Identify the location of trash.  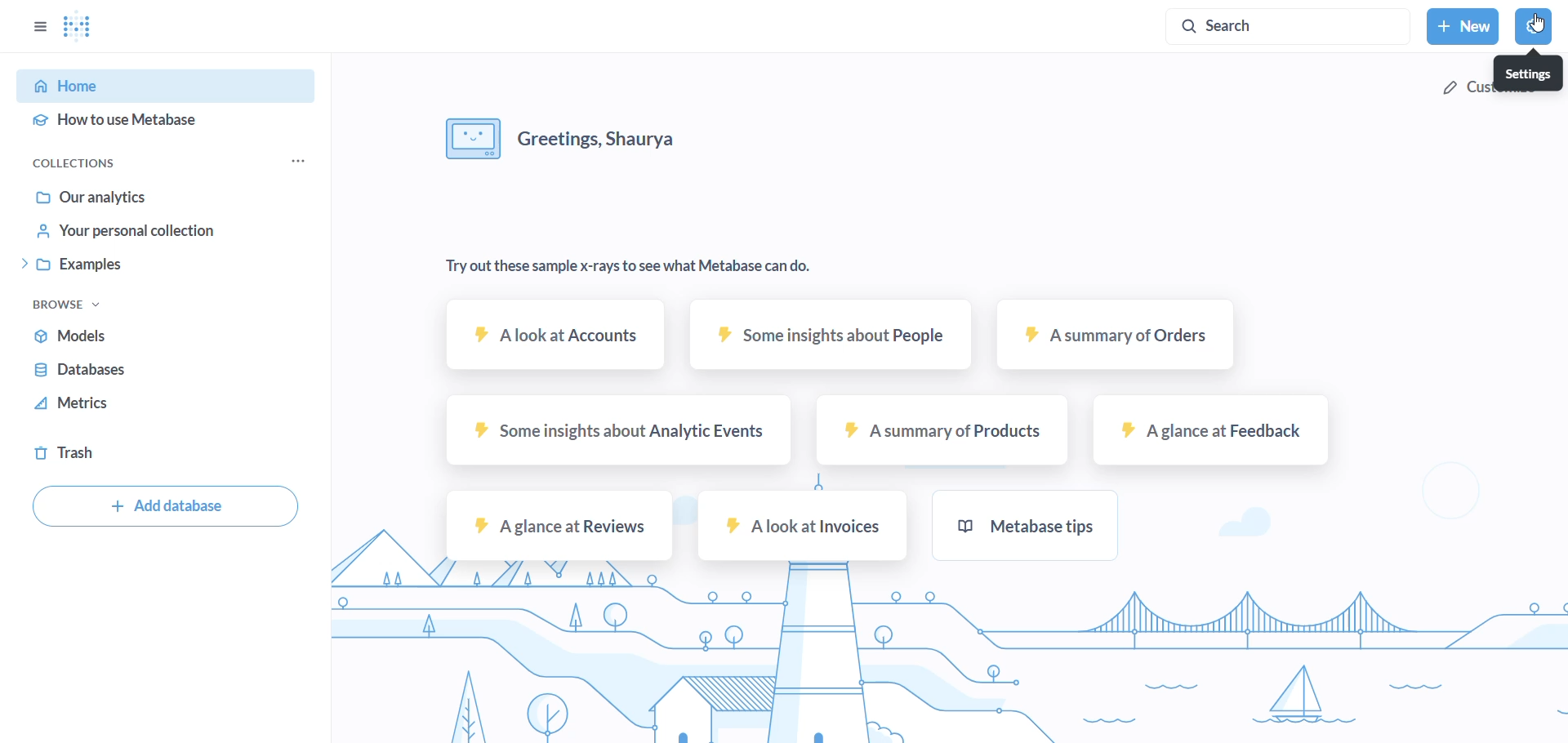
(78, 452).